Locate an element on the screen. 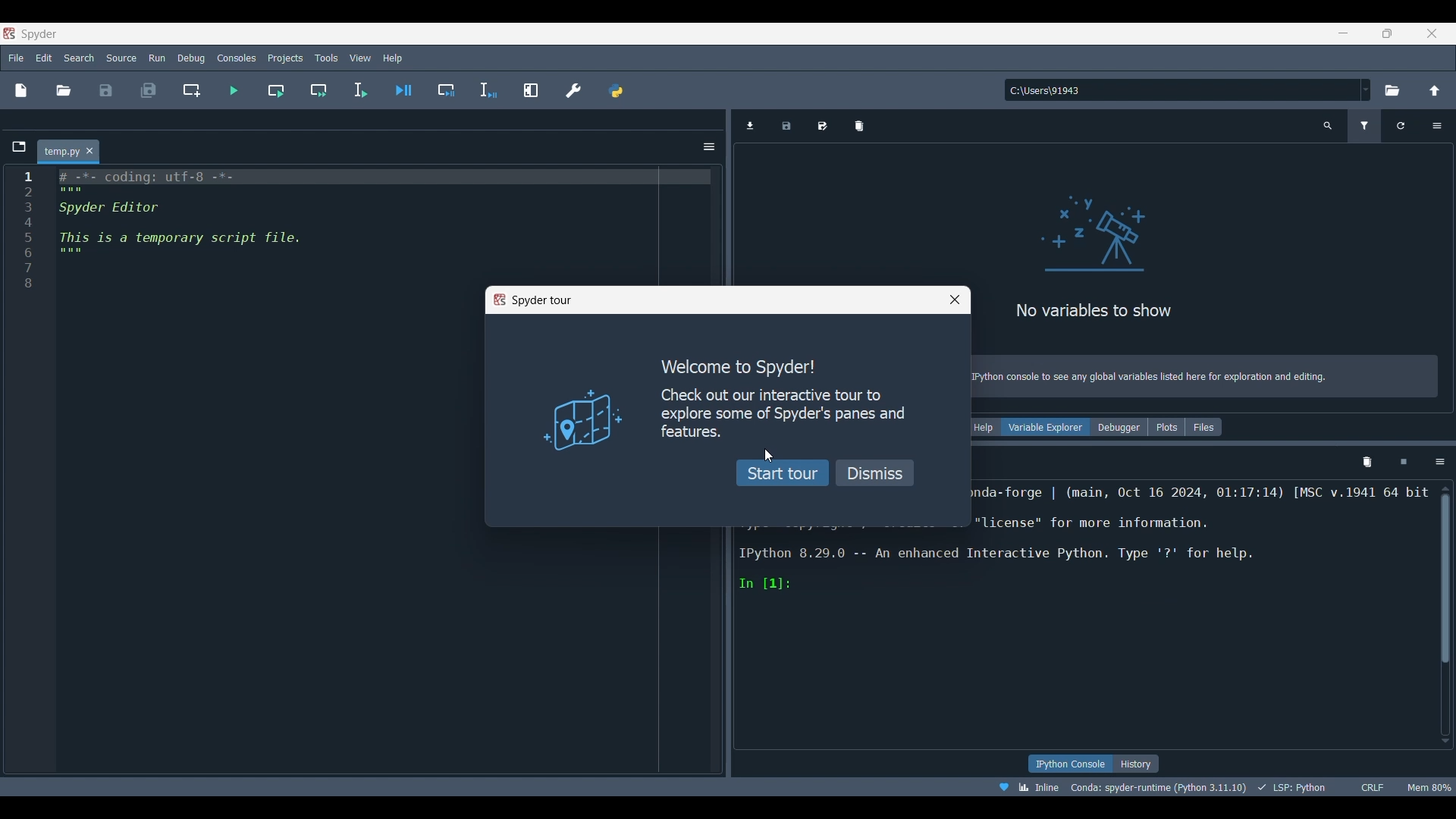 This screenshot has width=1456, height=819. dismiss is located at coordinates (876, 473).